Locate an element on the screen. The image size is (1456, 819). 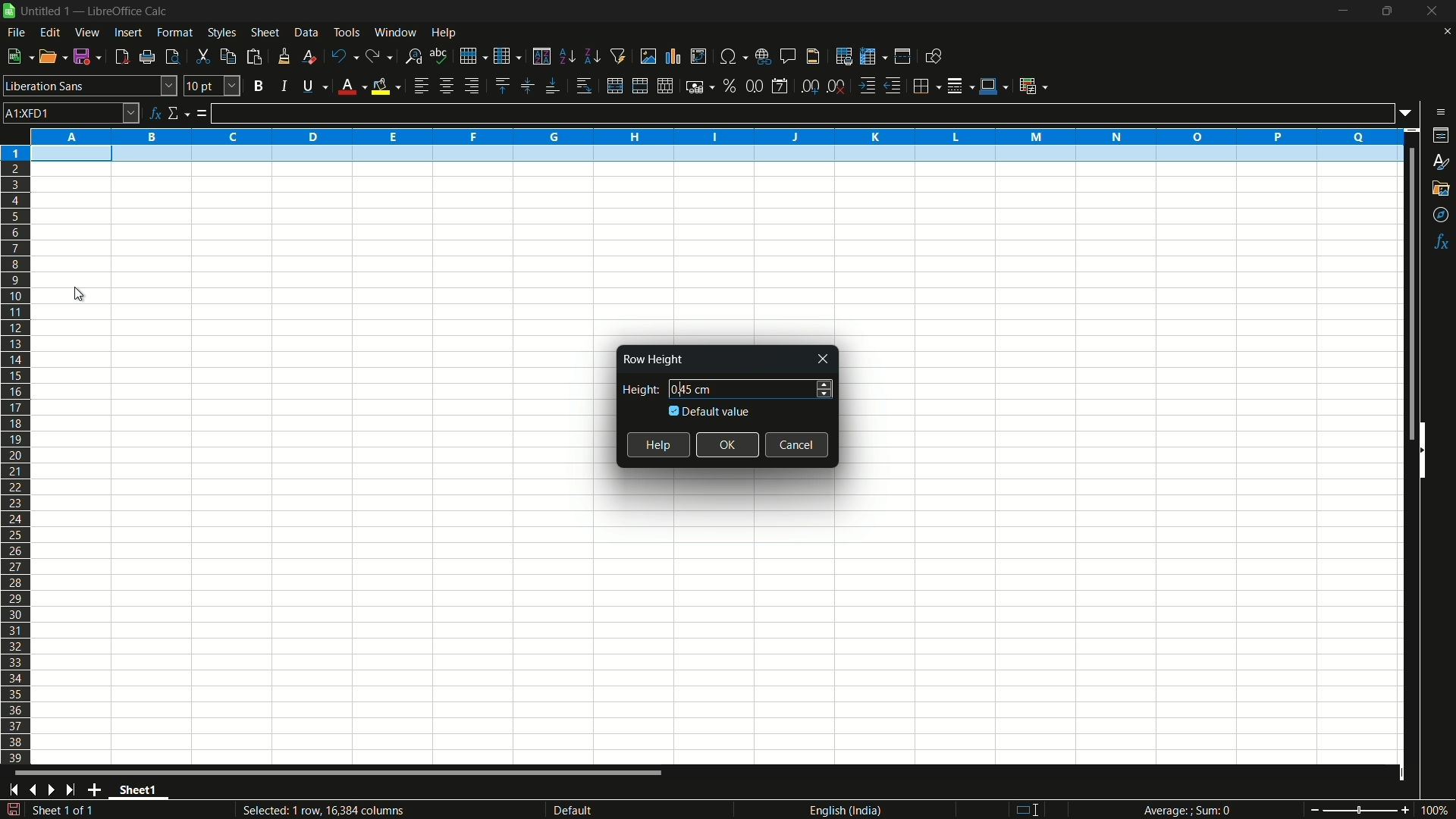
sort descending is located at coordinates (591, 56).